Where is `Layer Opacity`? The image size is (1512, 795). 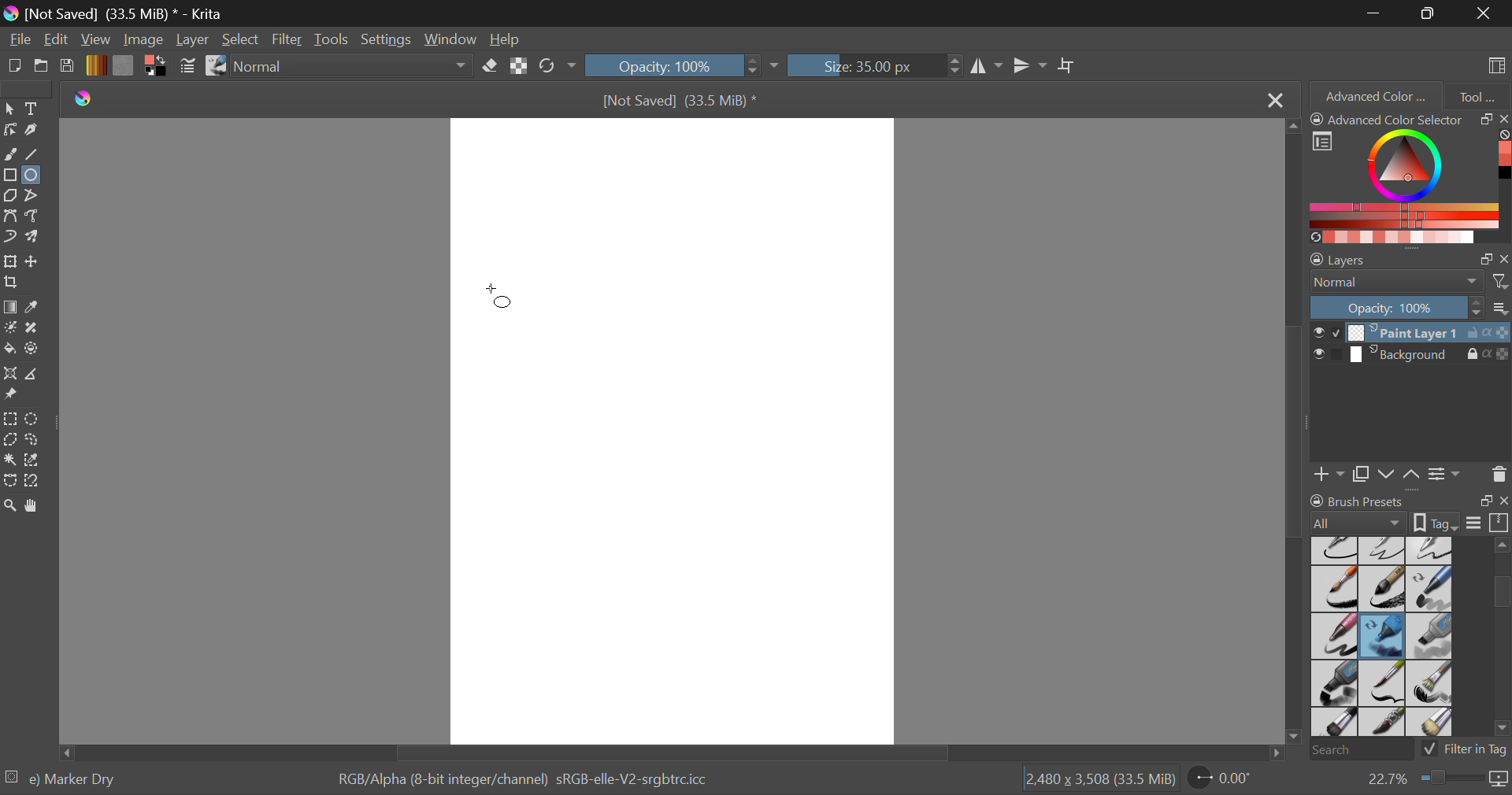
Layer Opacity is located at coordinates (1410, 307).